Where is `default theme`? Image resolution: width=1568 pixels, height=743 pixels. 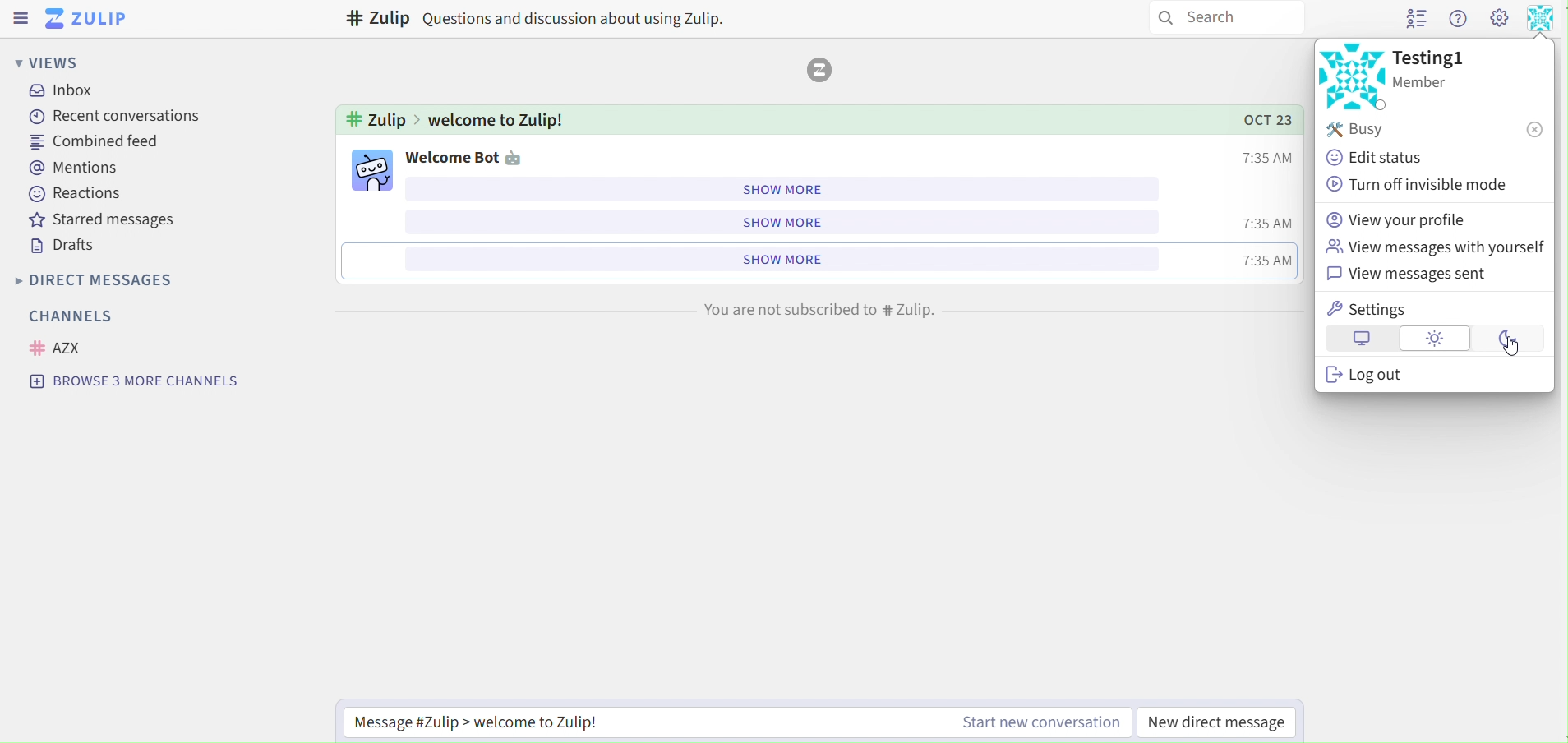 default theme is located at coordinates (1362, 338).